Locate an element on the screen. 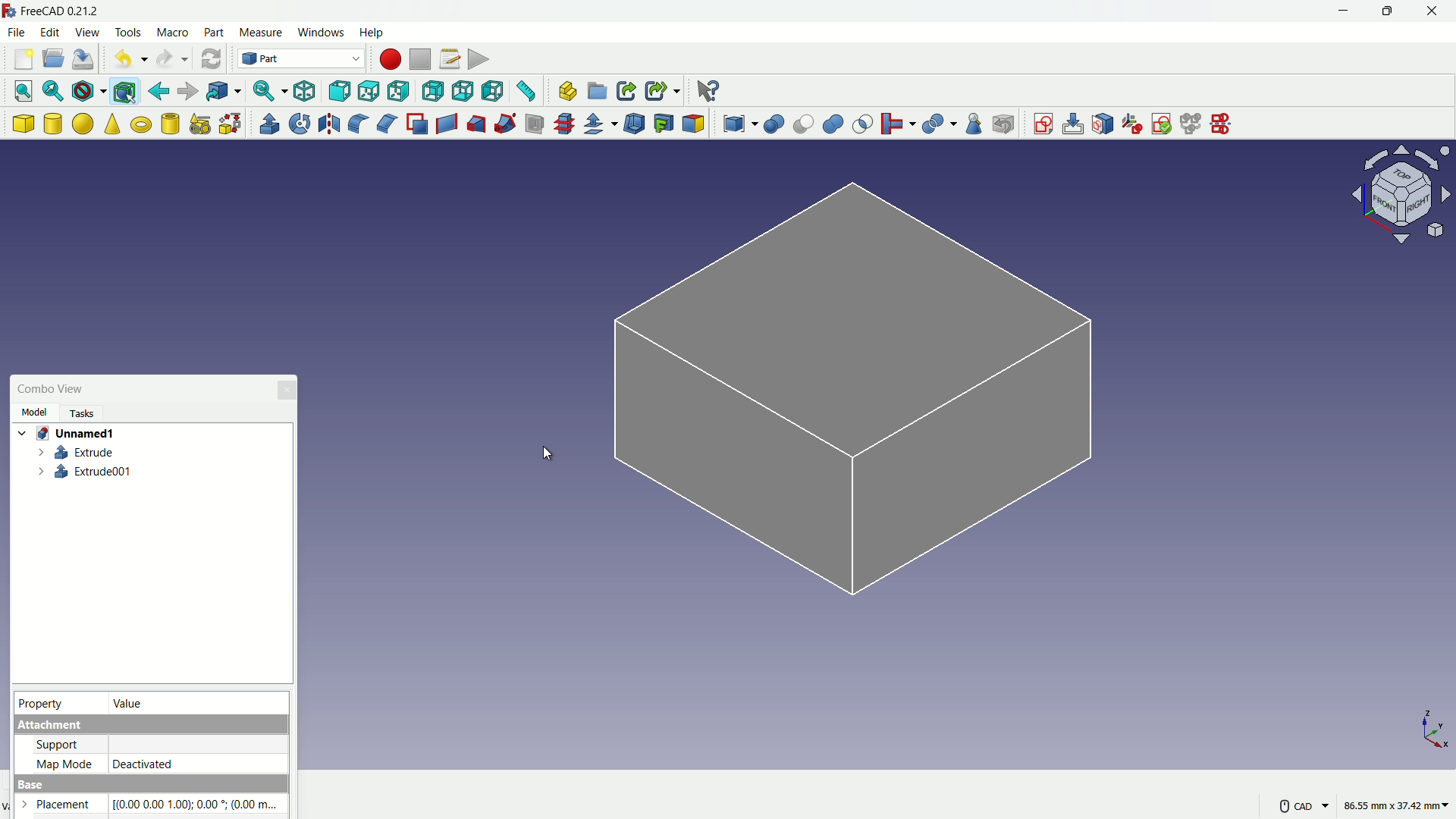 The height and width of the screenshot is (819, 1456). torus solid is located at coordinates (142, 125).